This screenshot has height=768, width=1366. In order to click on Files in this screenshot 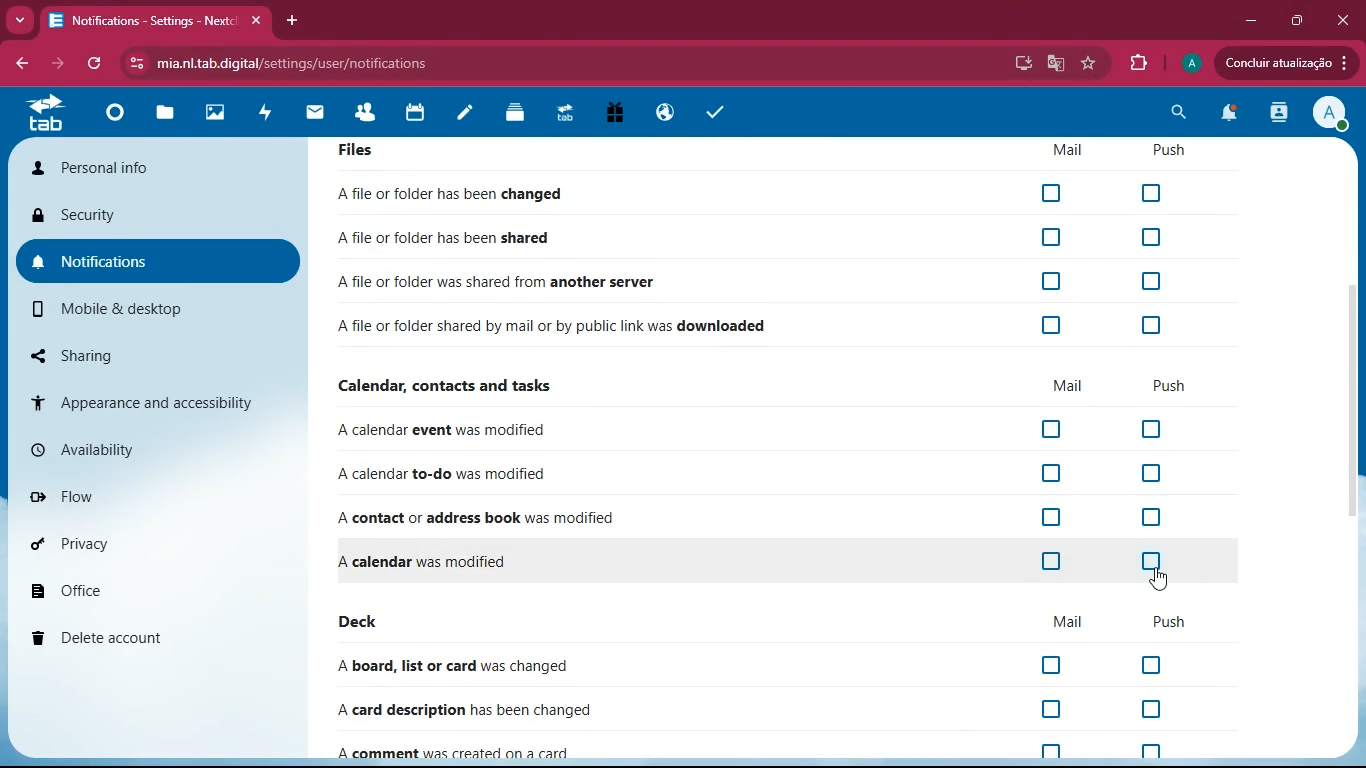, I will do `click(772, 154)`.